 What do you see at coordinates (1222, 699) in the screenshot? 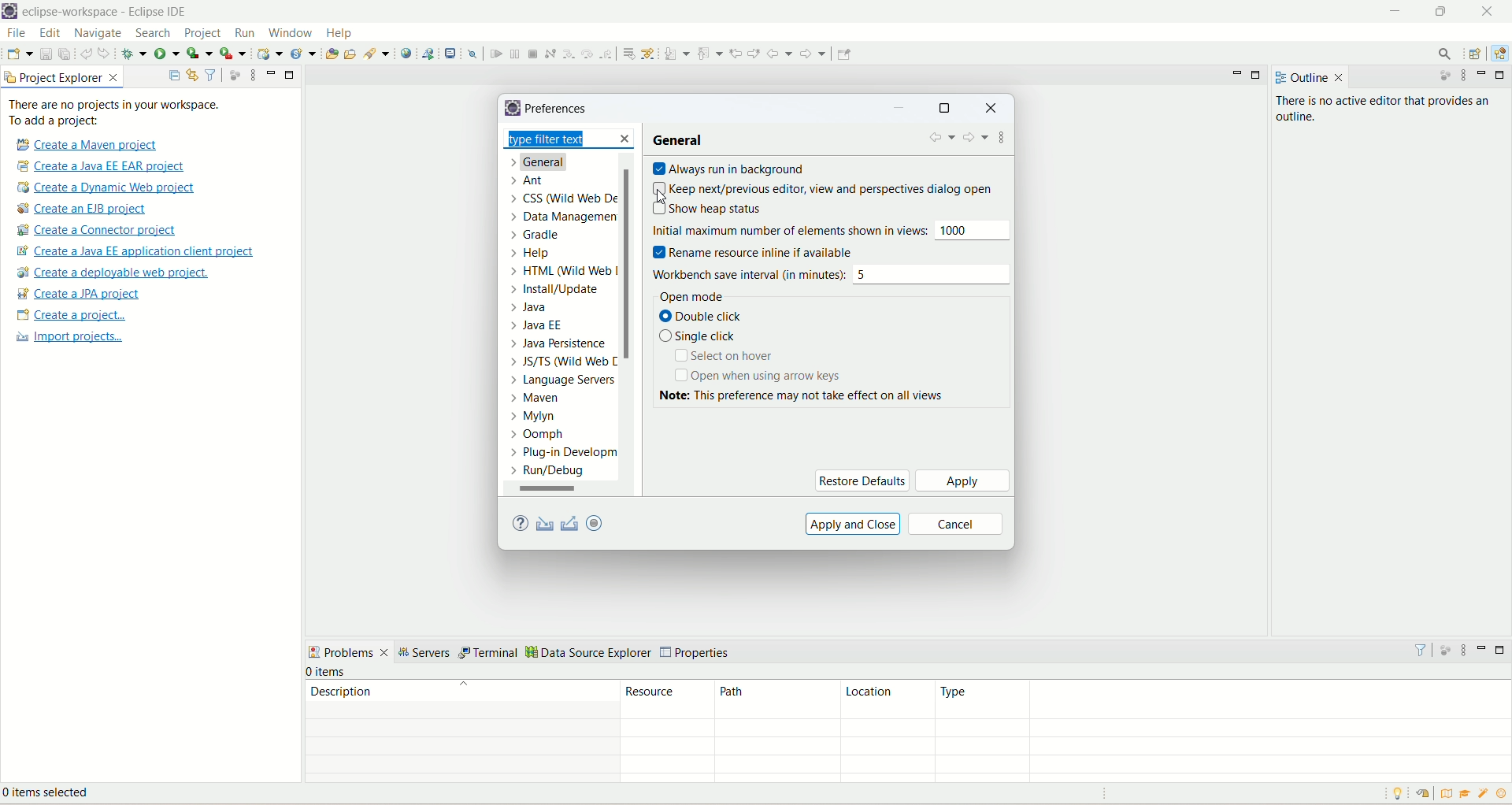
I see `type` at bounding box center [1222, 699].